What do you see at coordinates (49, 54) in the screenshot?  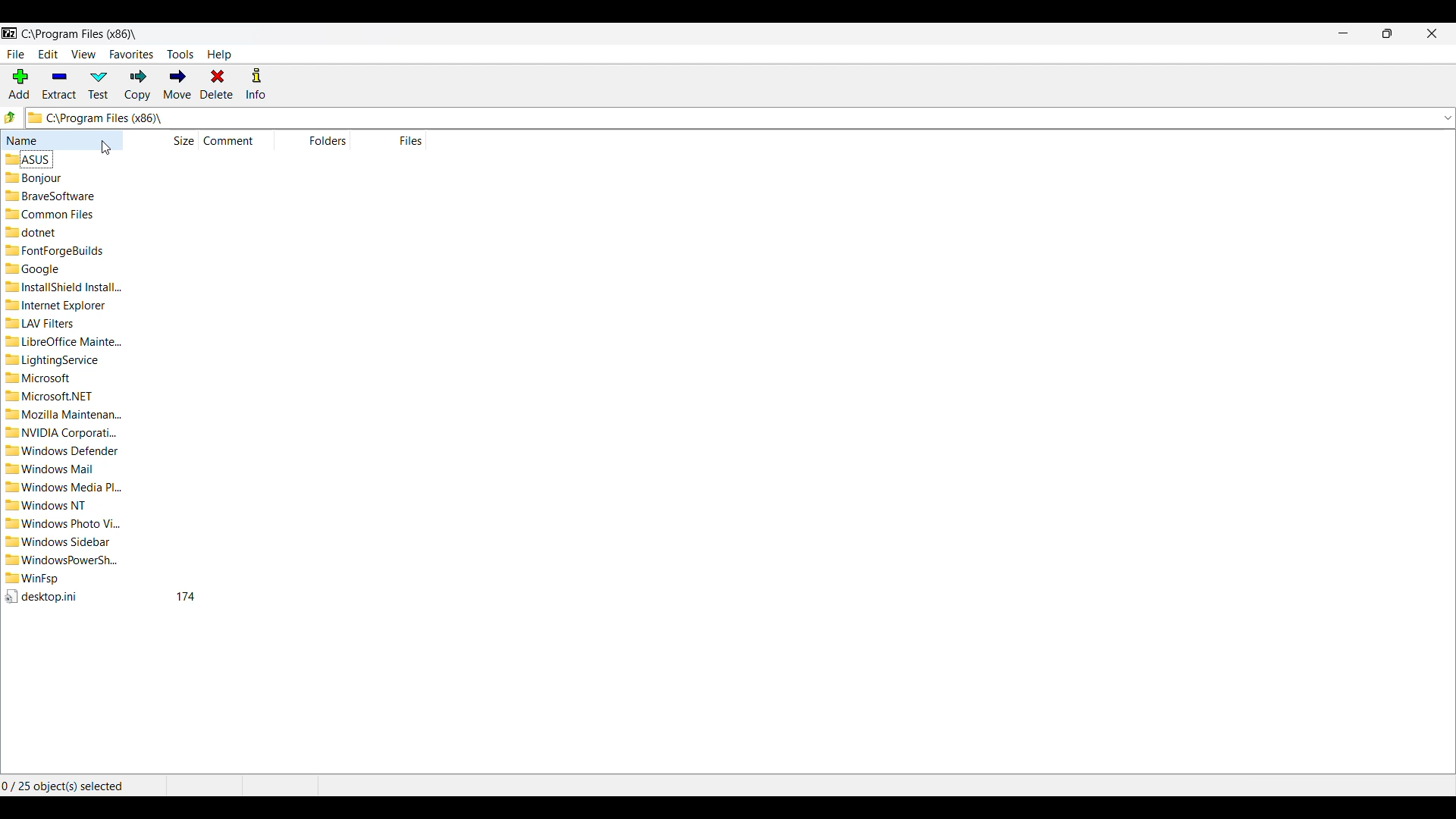 I see `Edit menu` at bounding box center [49, 54].